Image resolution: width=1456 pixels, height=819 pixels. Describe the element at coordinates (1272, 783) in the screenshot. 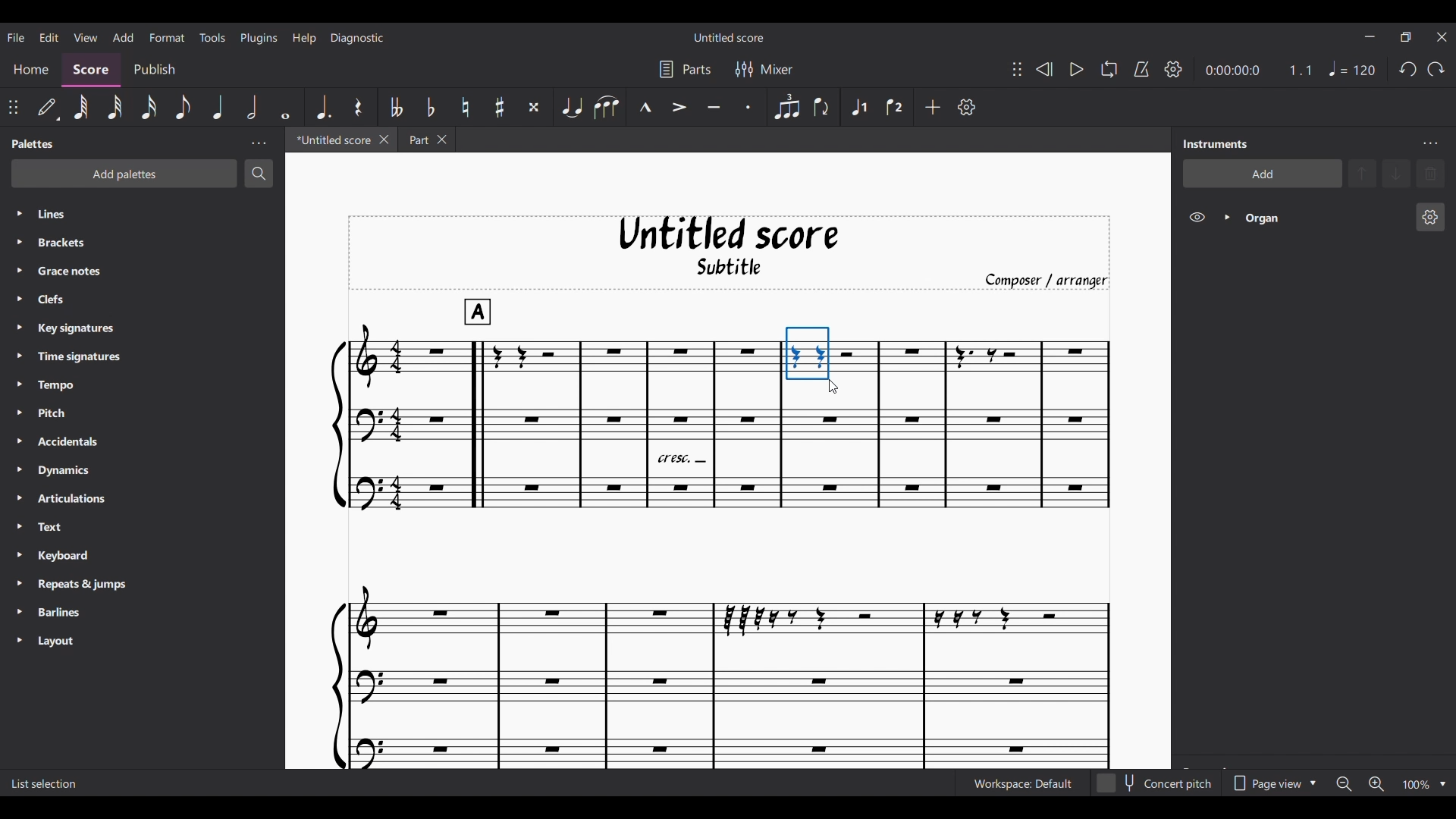

I see `Page view options` at that location.